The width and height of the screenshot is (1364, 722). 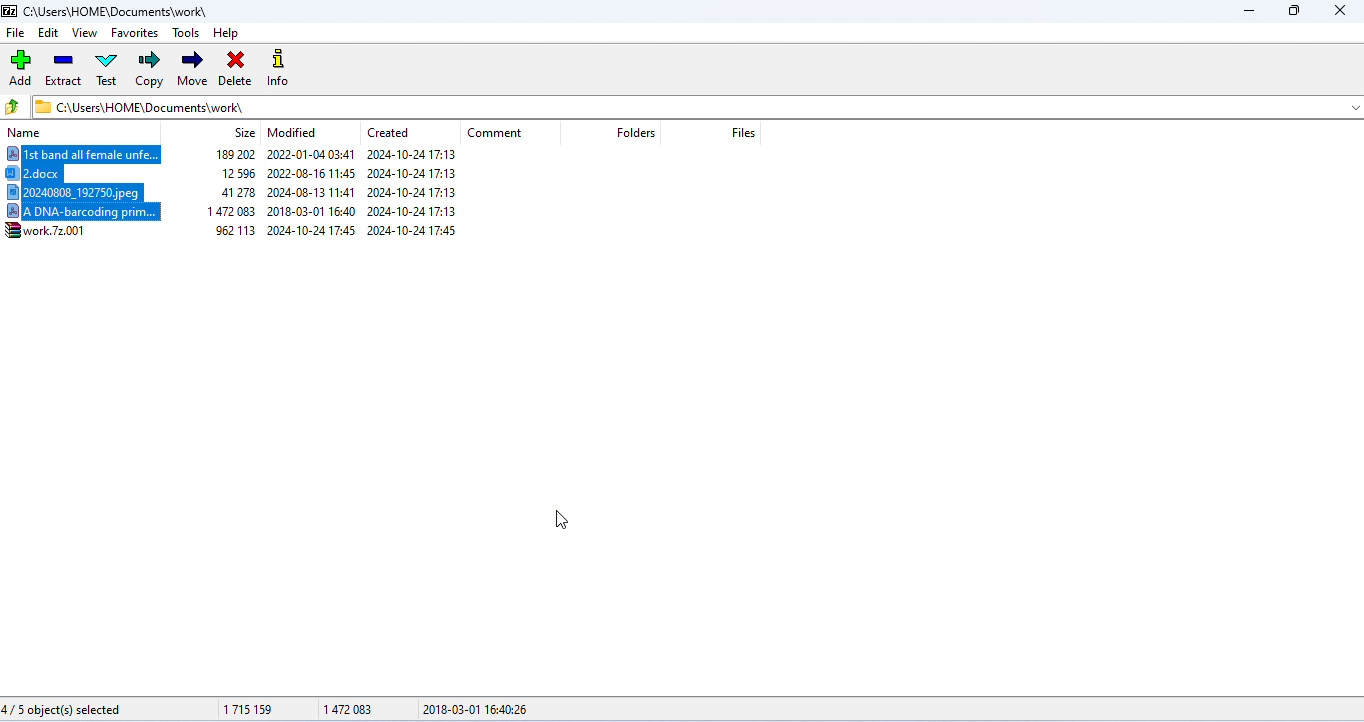 I want to click on file, so click(x=15, y=32).